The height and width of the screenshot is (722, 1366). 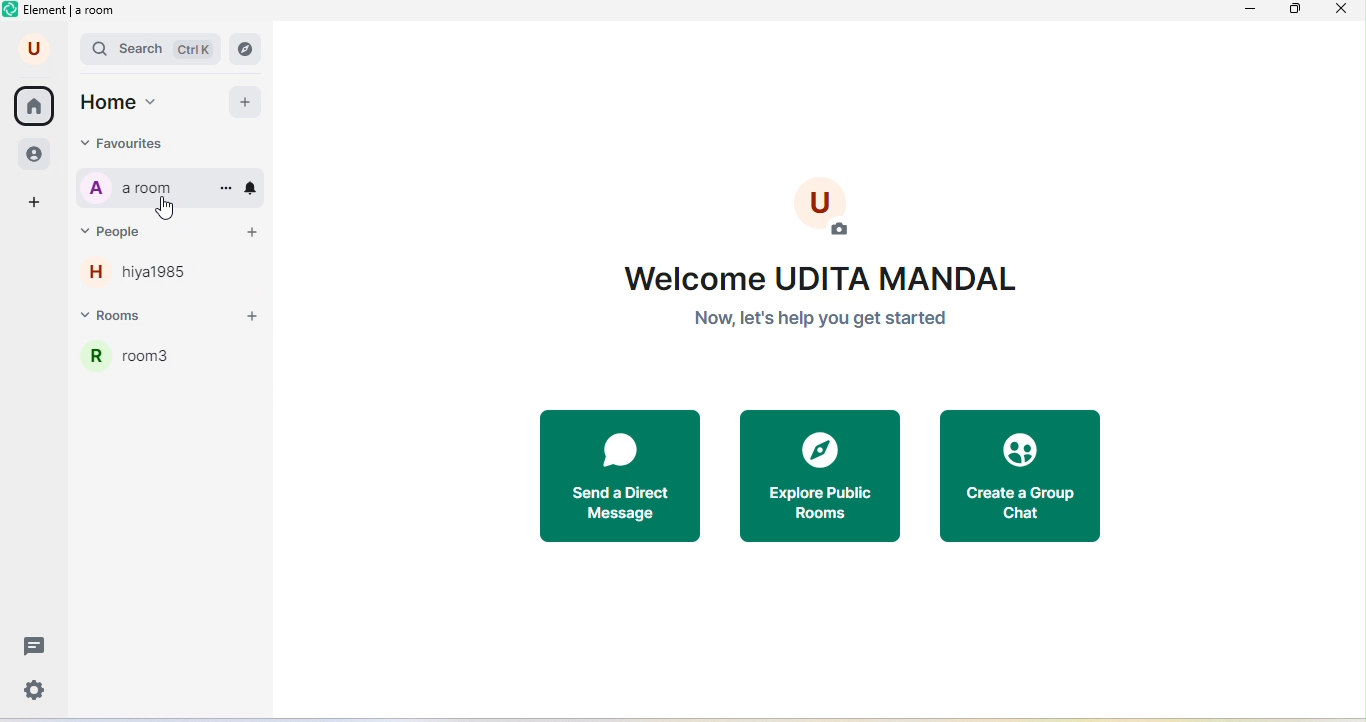 What do you see at coordinates (819, 476) in the screenshot?
I see `explore public rooms` at bounding box center [819, 476].